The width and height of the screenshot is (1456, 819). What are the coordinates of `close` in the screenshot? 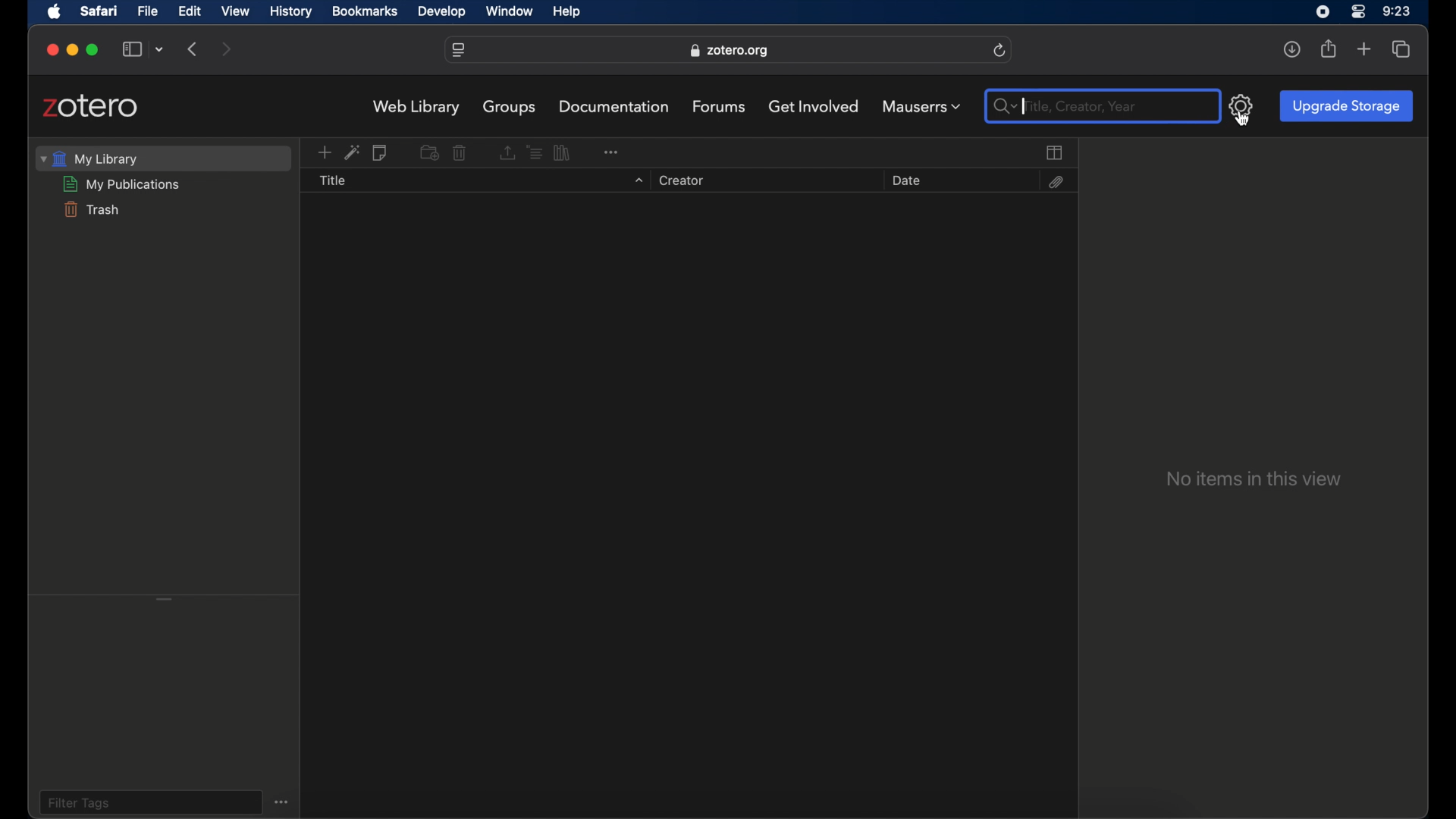 It's located at (53, 50).